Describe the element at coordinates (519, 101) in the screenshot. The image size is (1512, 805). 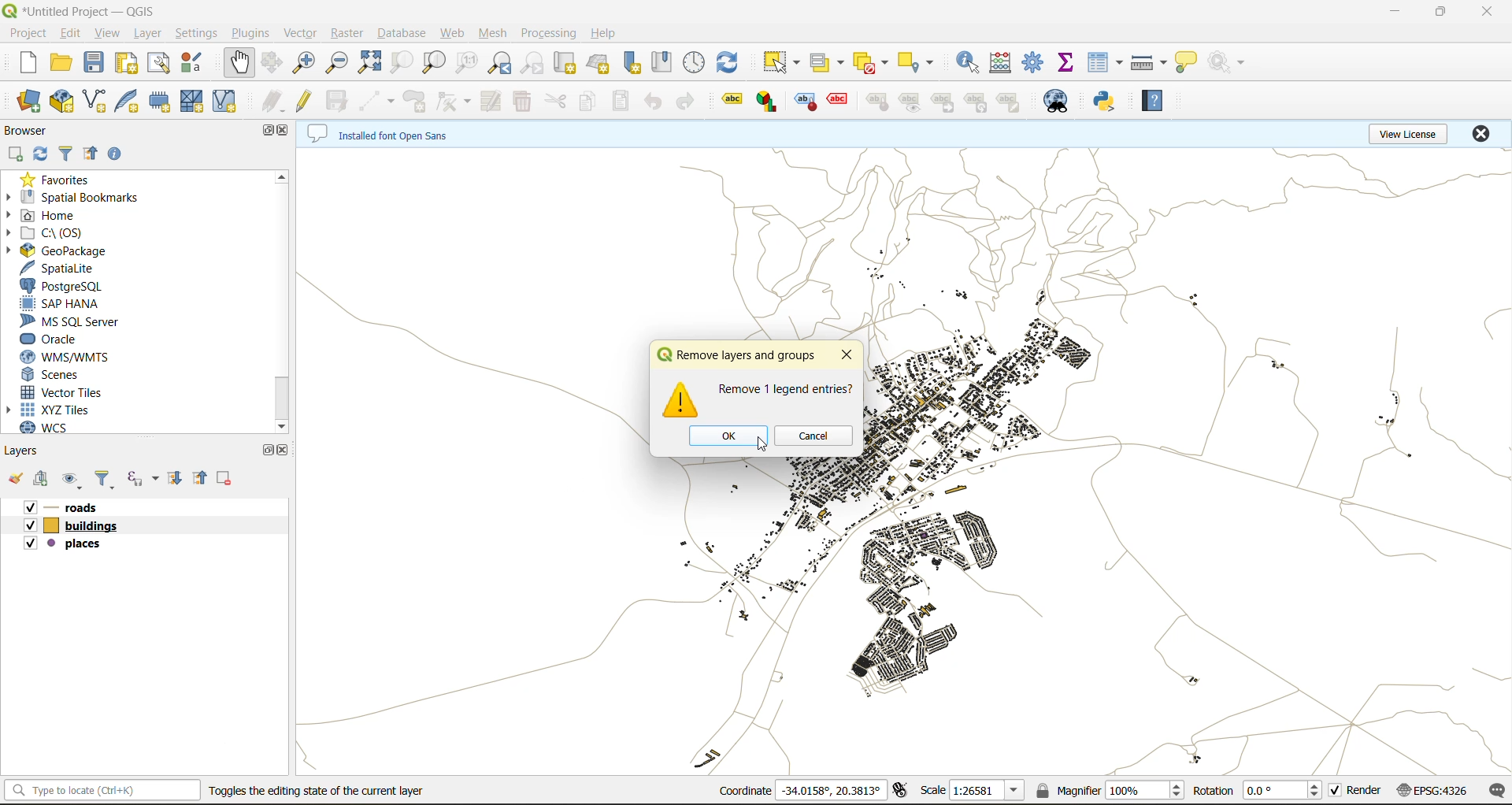
I see `delete` at that location.